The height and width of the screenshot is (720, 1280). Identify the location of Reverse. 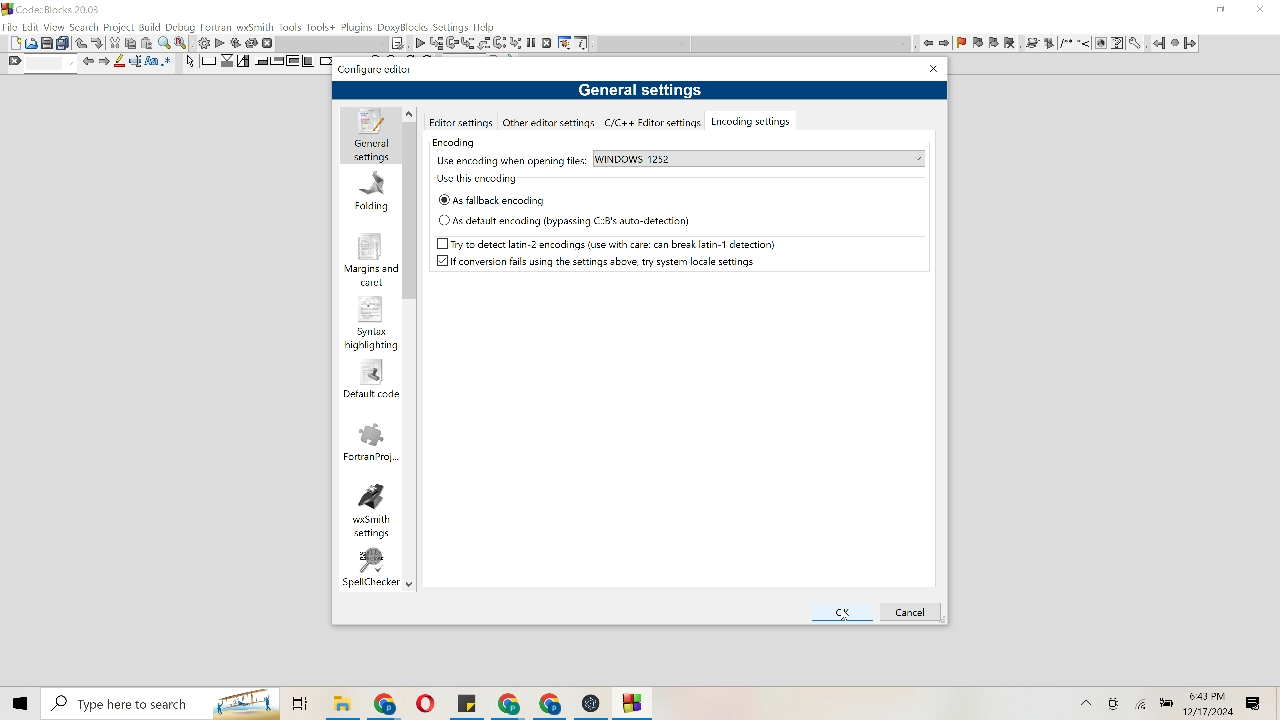
(243, 43).